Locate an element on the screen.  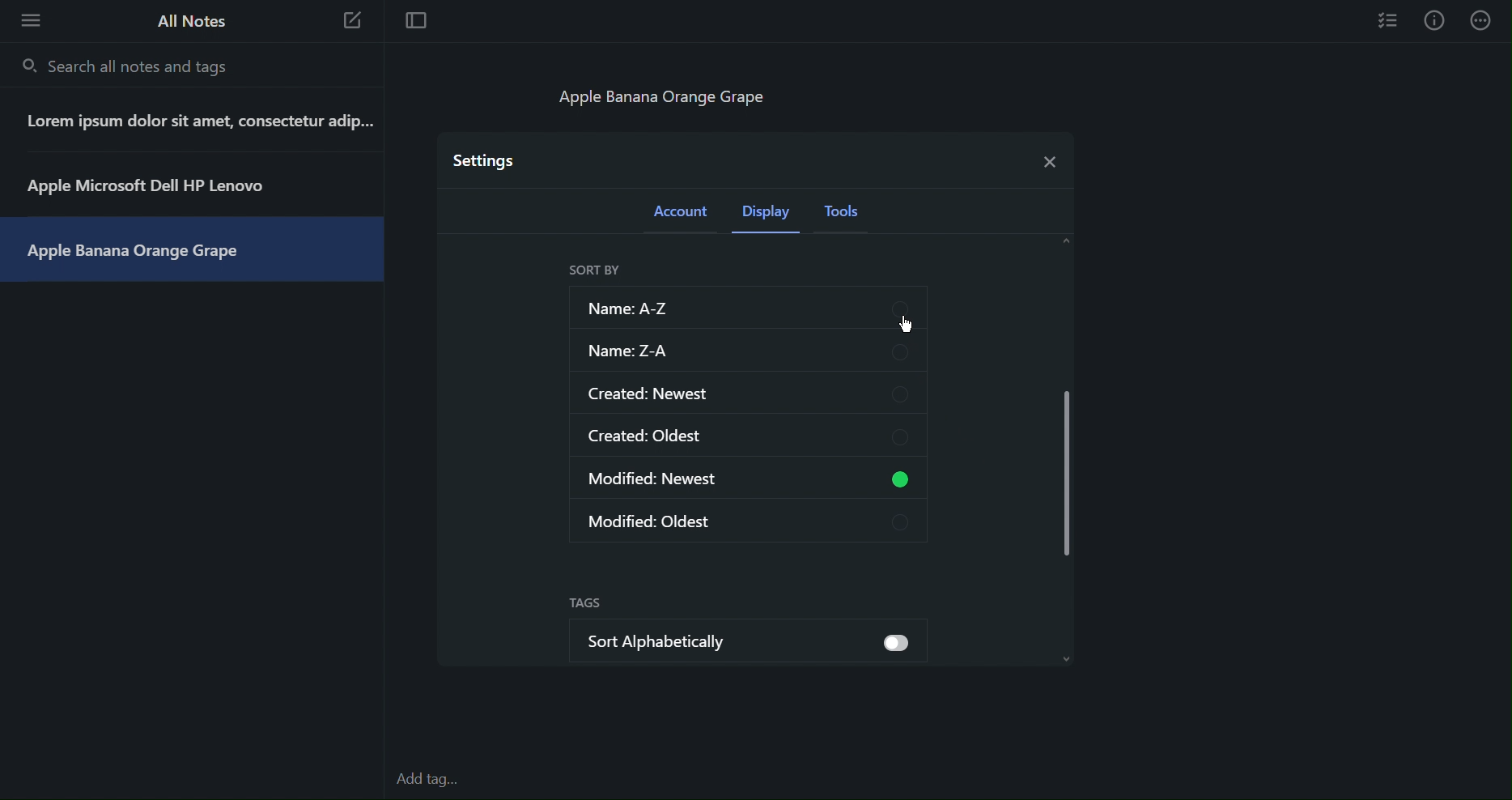
Modified: Oldest is located at coordinates (751, 519).